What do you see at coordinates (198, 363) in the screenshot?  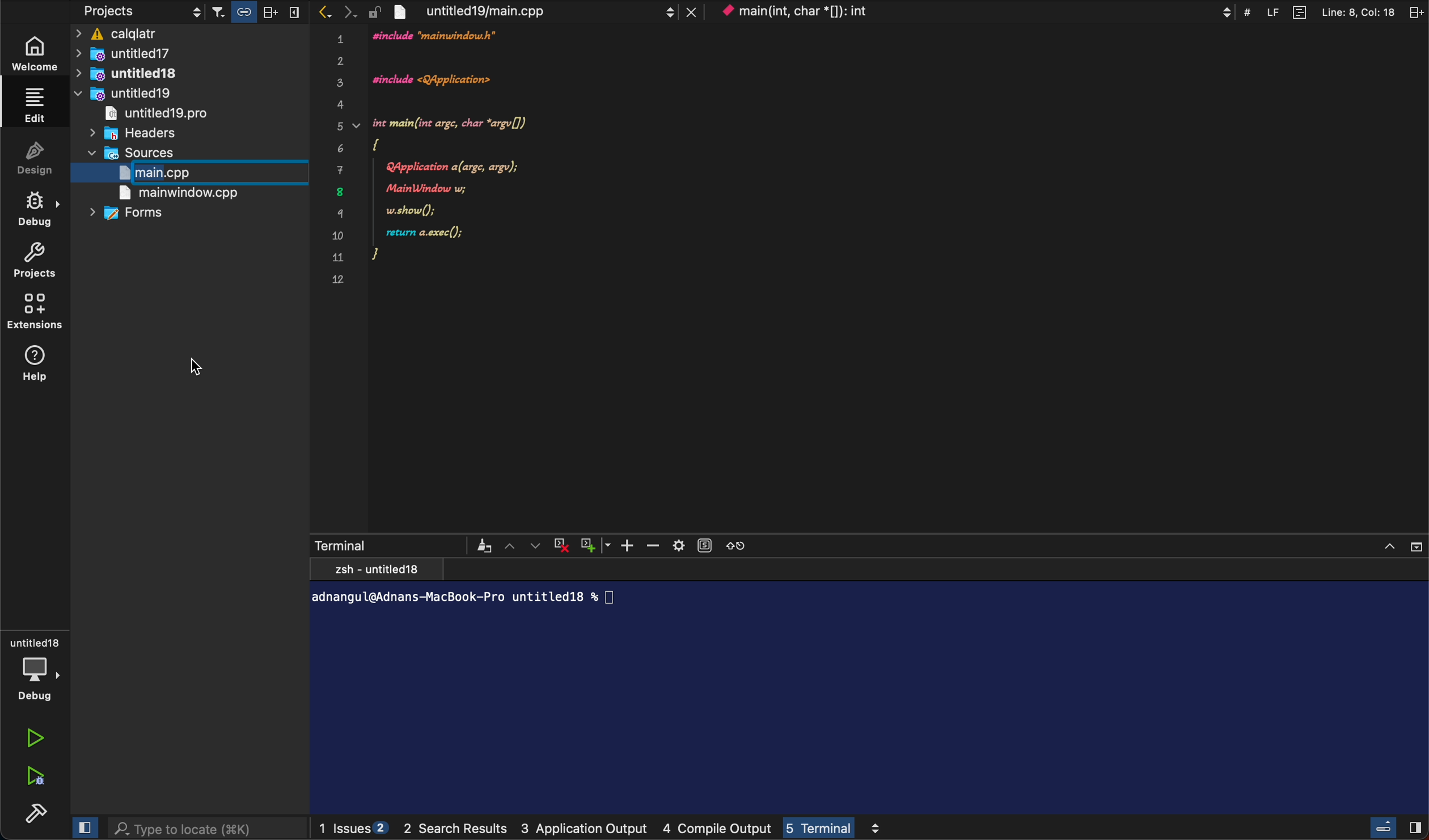 I see `curser` at bounding box center [198, 363].